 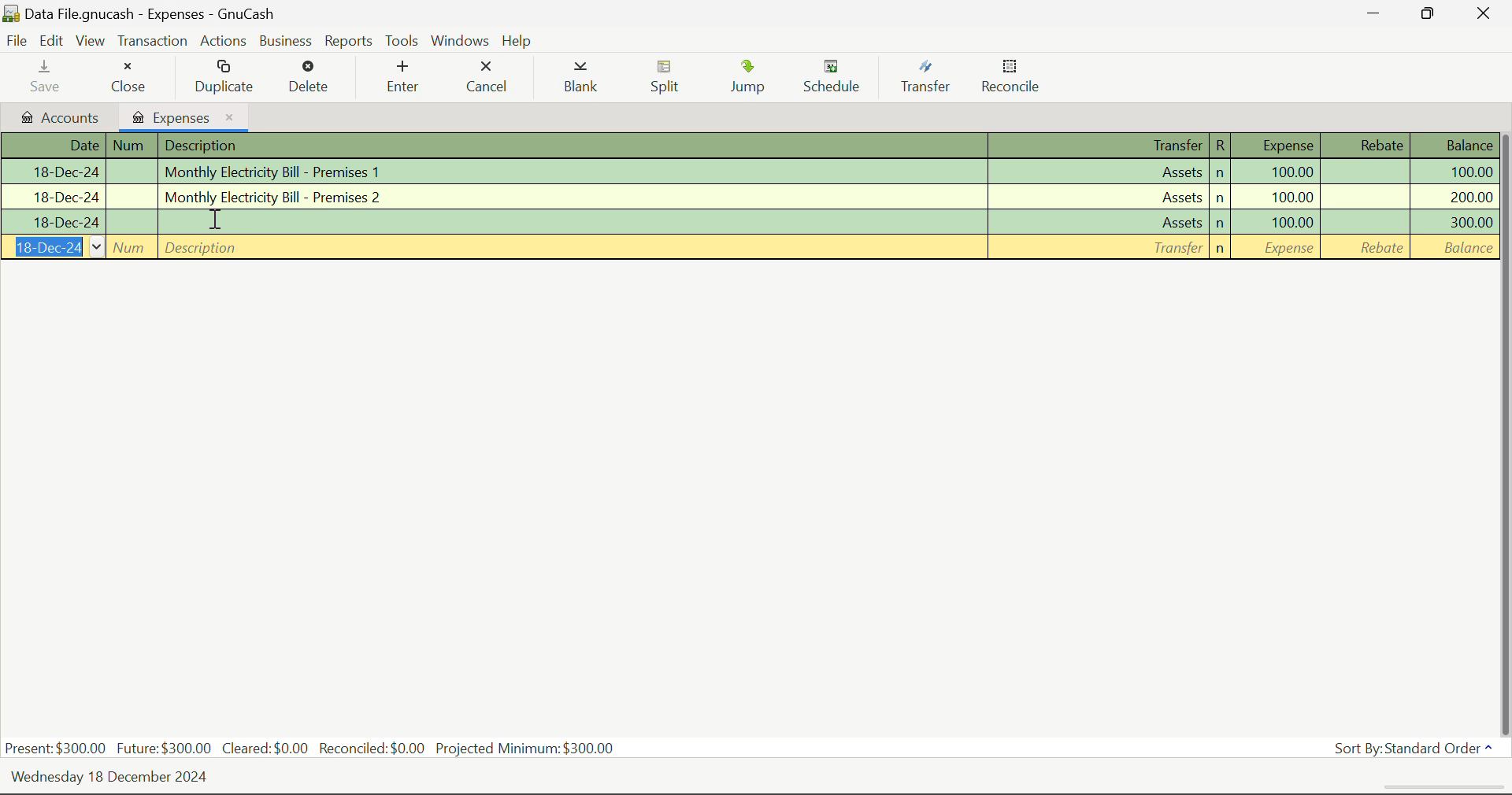 I want to click on Expenses, so click(x=183, y=115).